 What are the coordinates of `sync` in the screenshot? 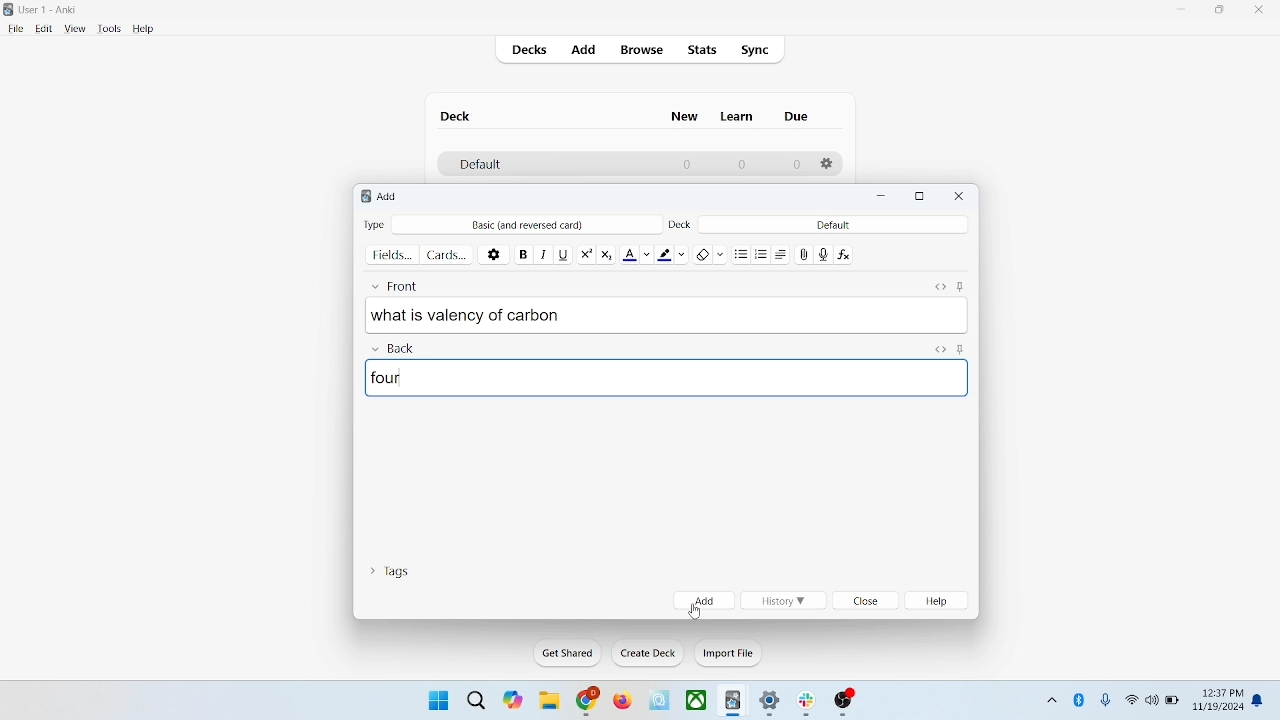 It's located at (756, 51).